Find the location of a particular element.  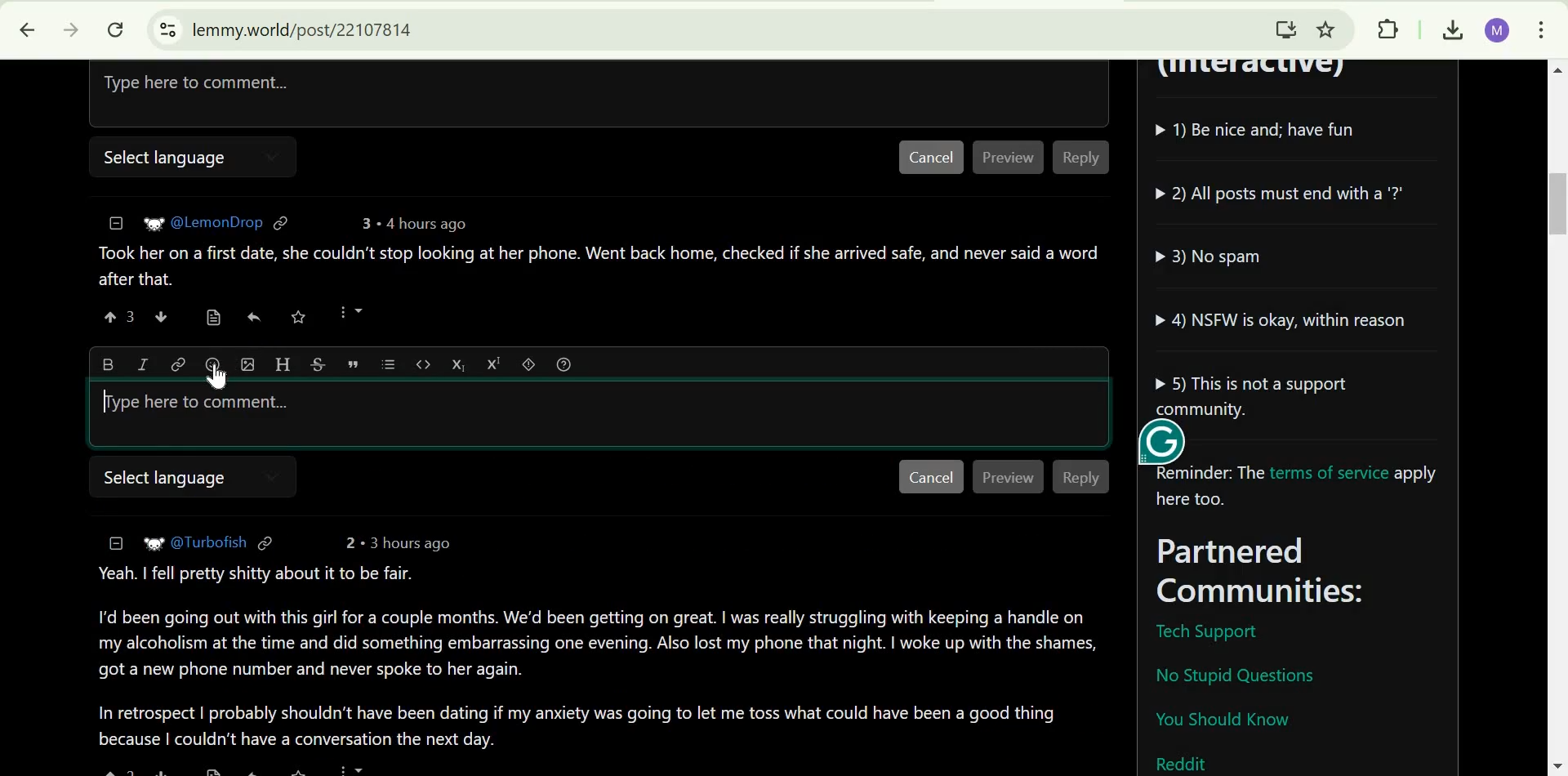

Emoji is located at coordinates (213, 365).